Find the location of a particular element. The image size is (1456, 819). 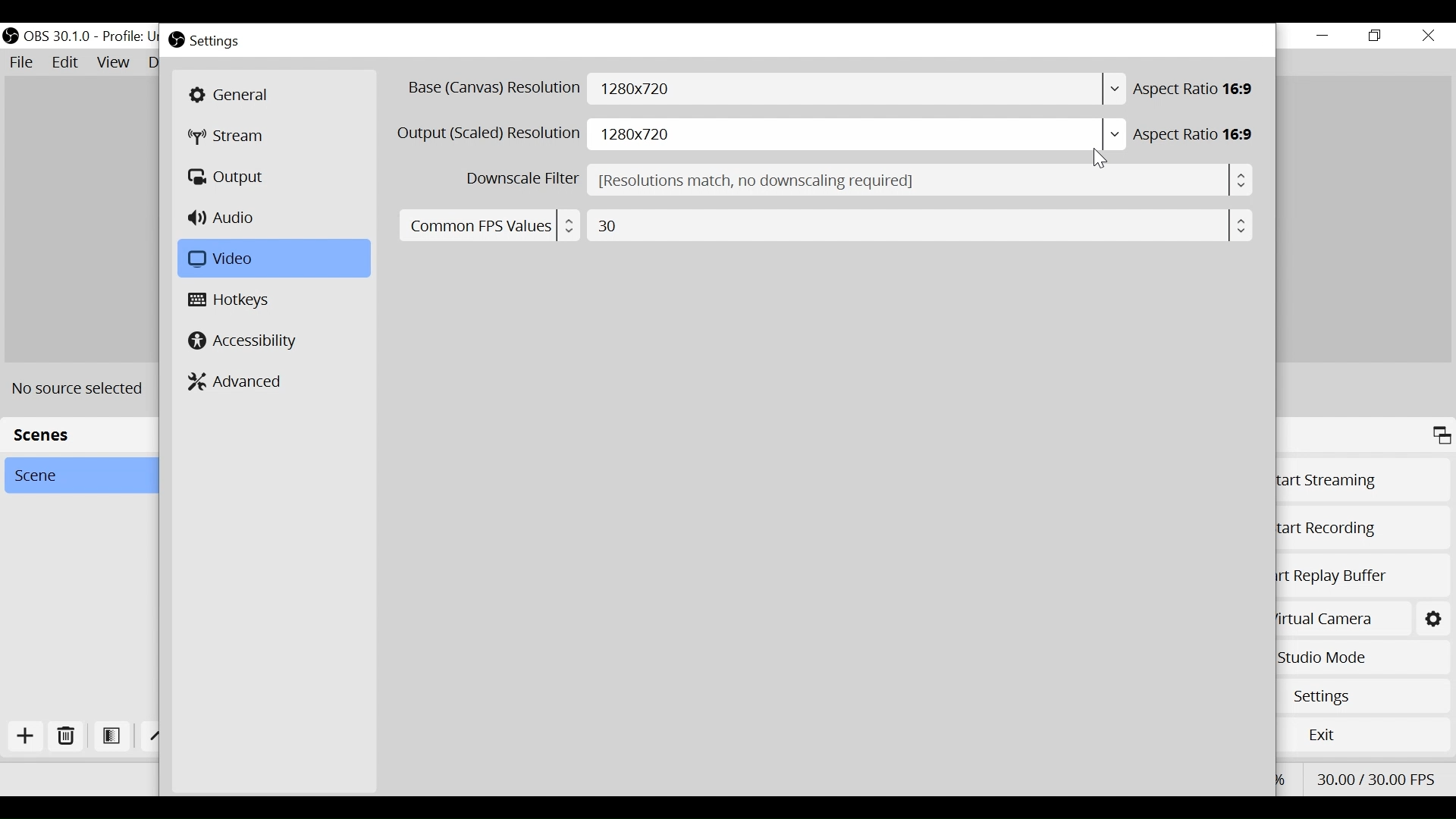

Common FPS Values Field 30 is located at coordinates (822, 224).